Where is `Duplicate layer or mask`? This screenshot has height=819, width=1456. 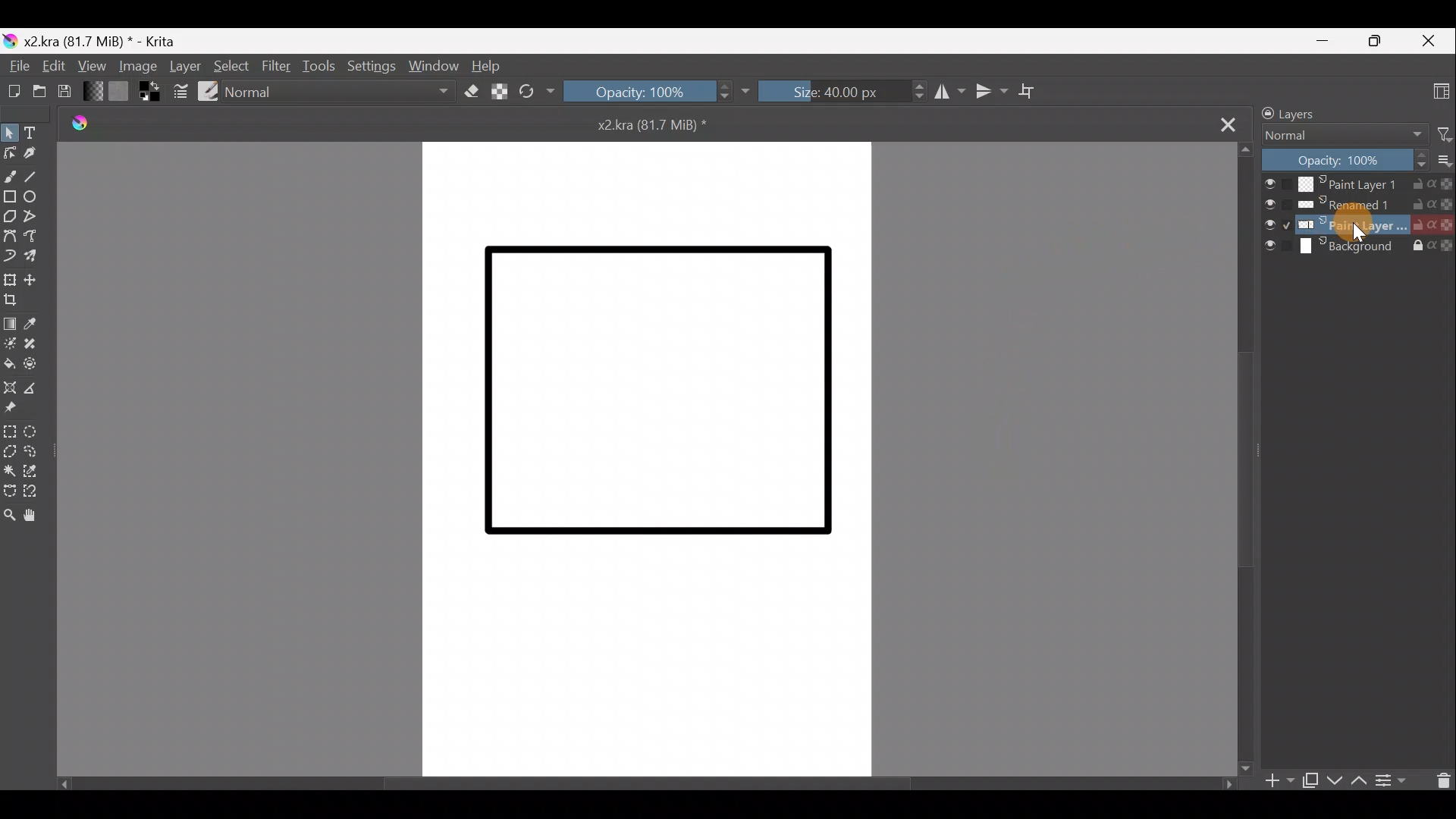 Duplicate layer or mask is located at coordinates (1308, 781).